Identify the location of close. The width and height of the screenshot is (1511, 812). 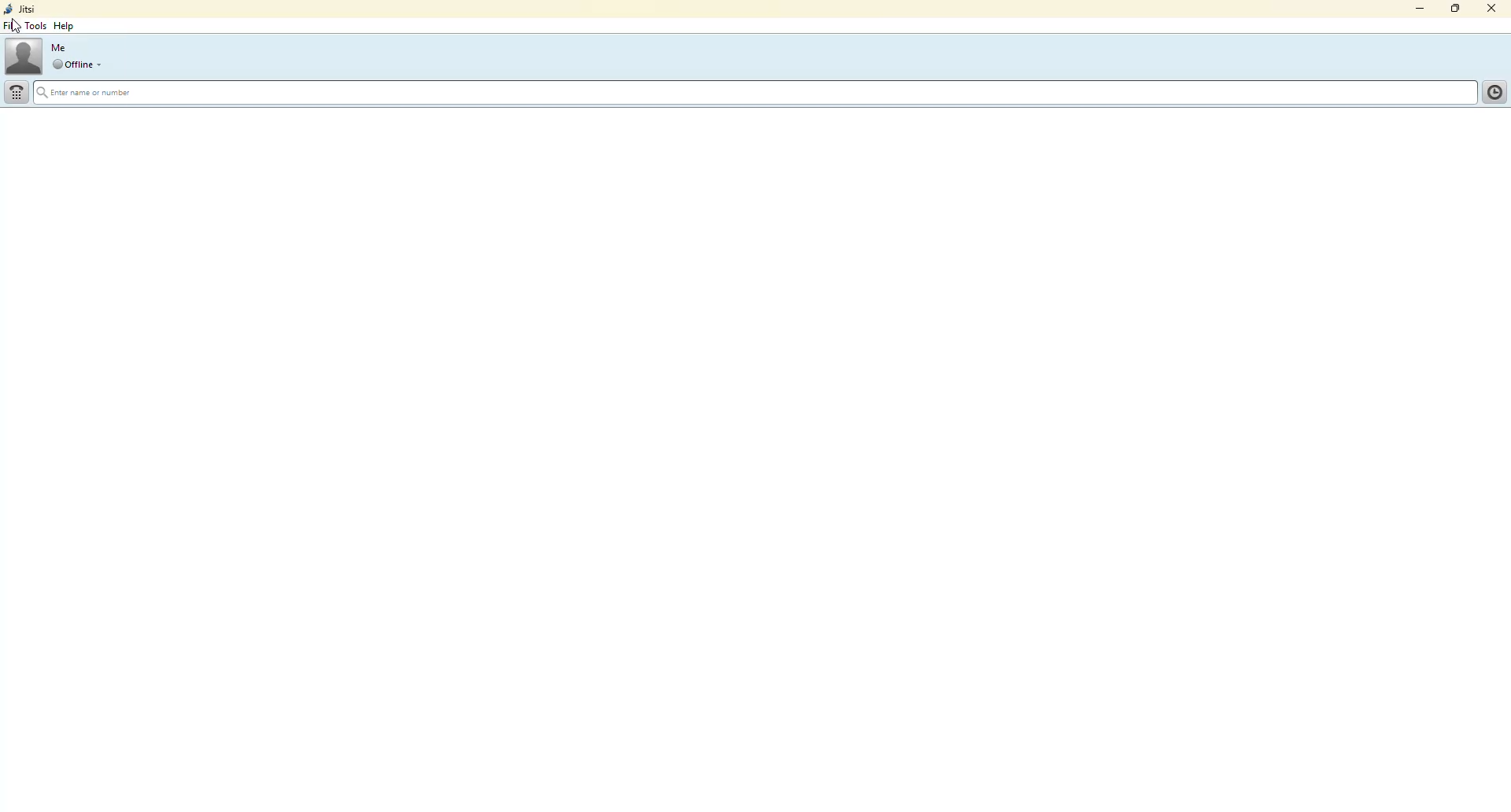
(1493, 6).